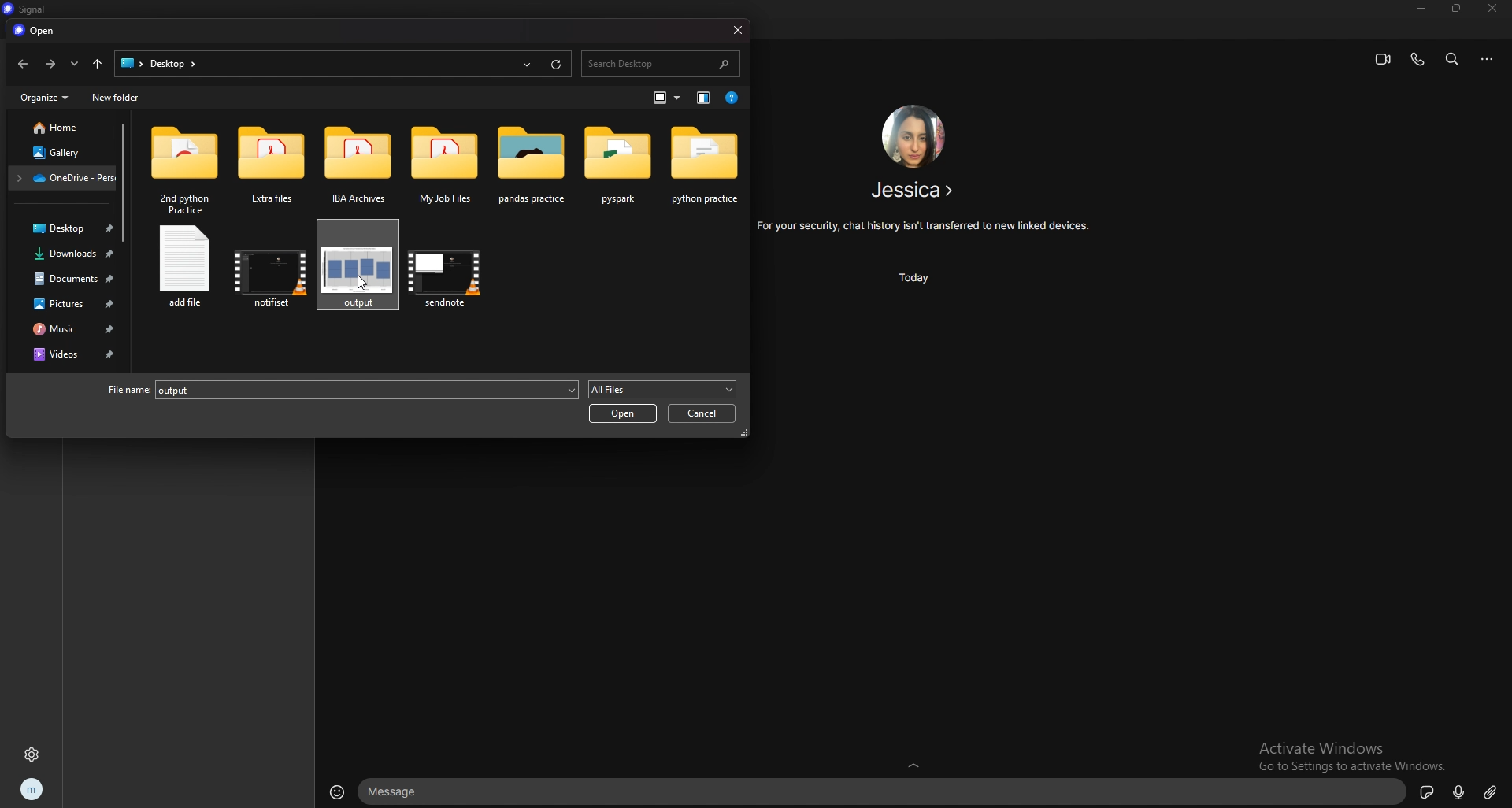 The image size is (1512, 808). Describe the element at coordinates (703, 98) in the screenshot. I see `change view` at that location.